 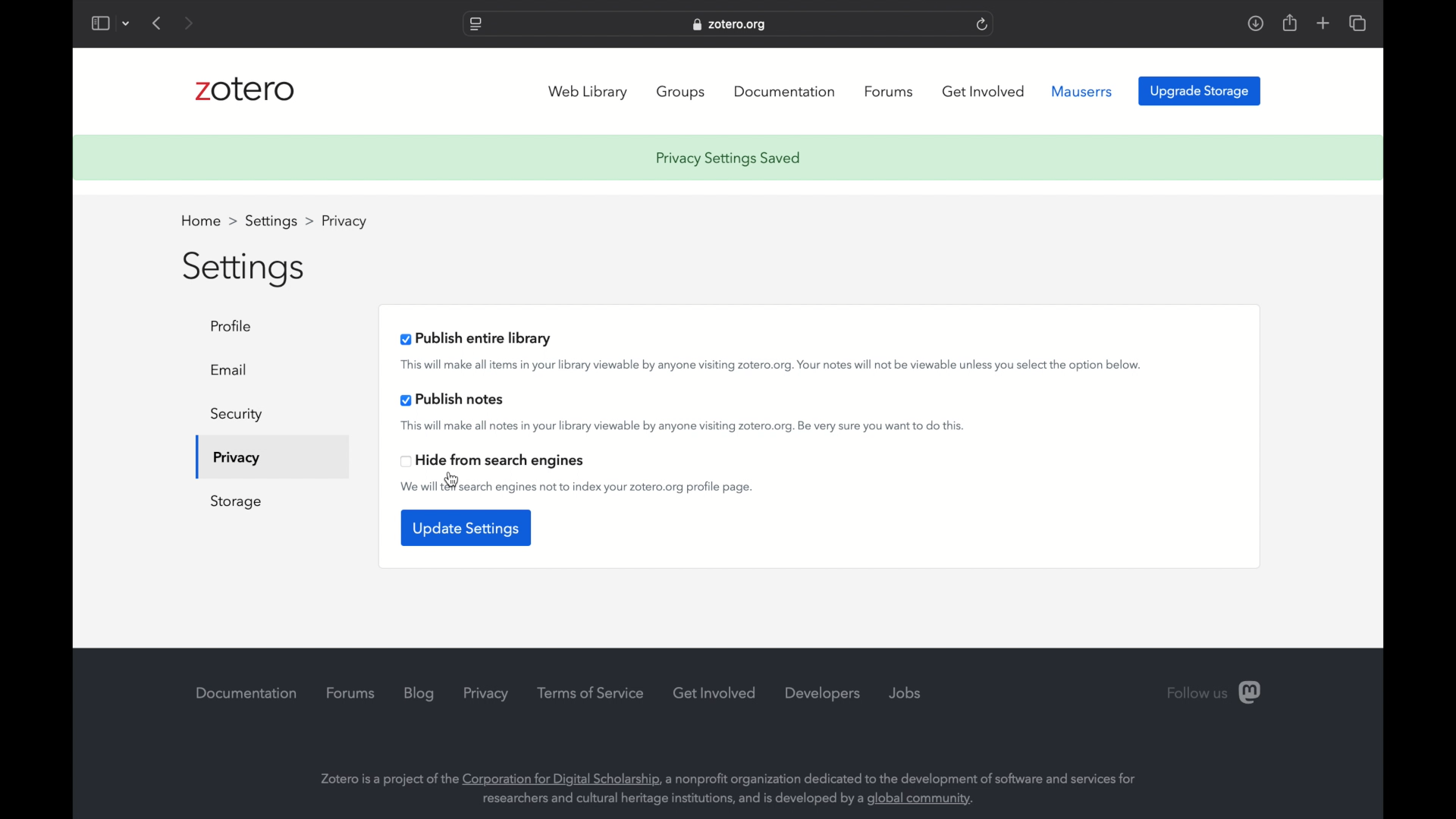 I want to click on privacy, so click(x=486, y=692).